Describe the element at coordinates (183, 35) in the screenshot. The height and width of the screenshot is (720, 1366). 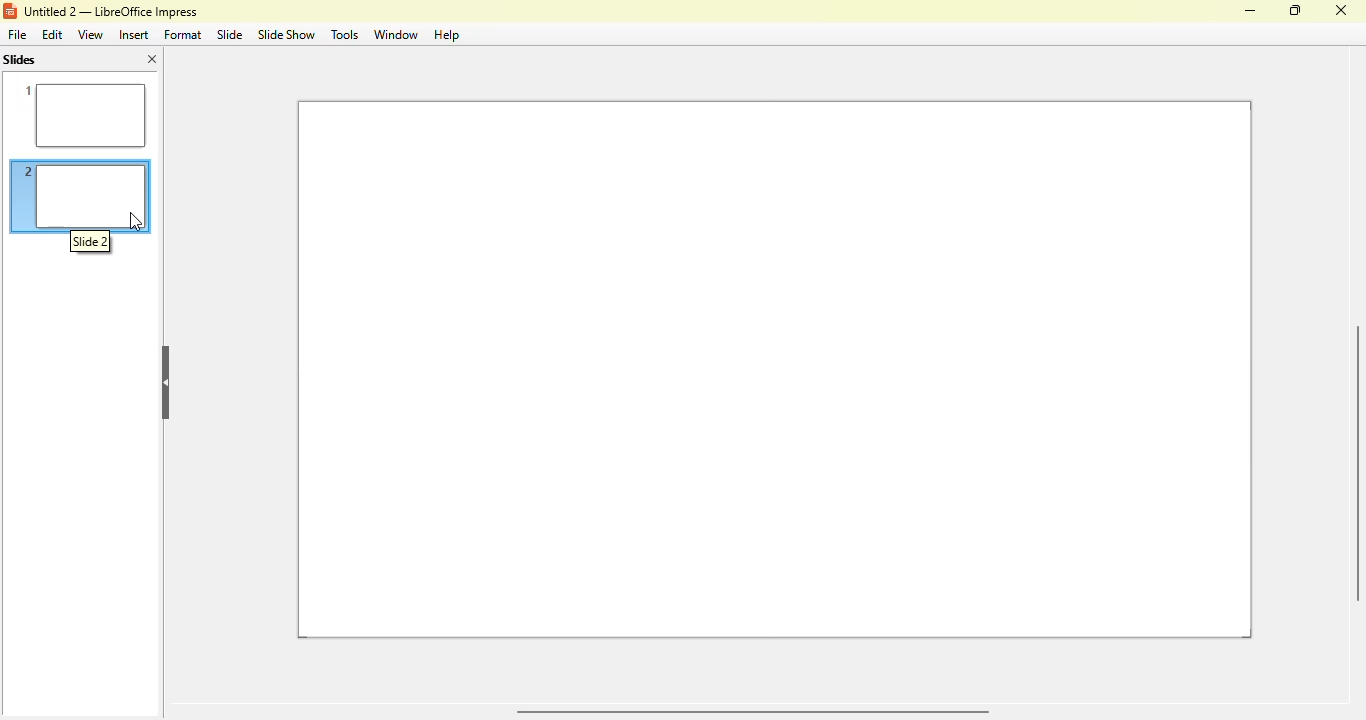
I see `format` at that location.